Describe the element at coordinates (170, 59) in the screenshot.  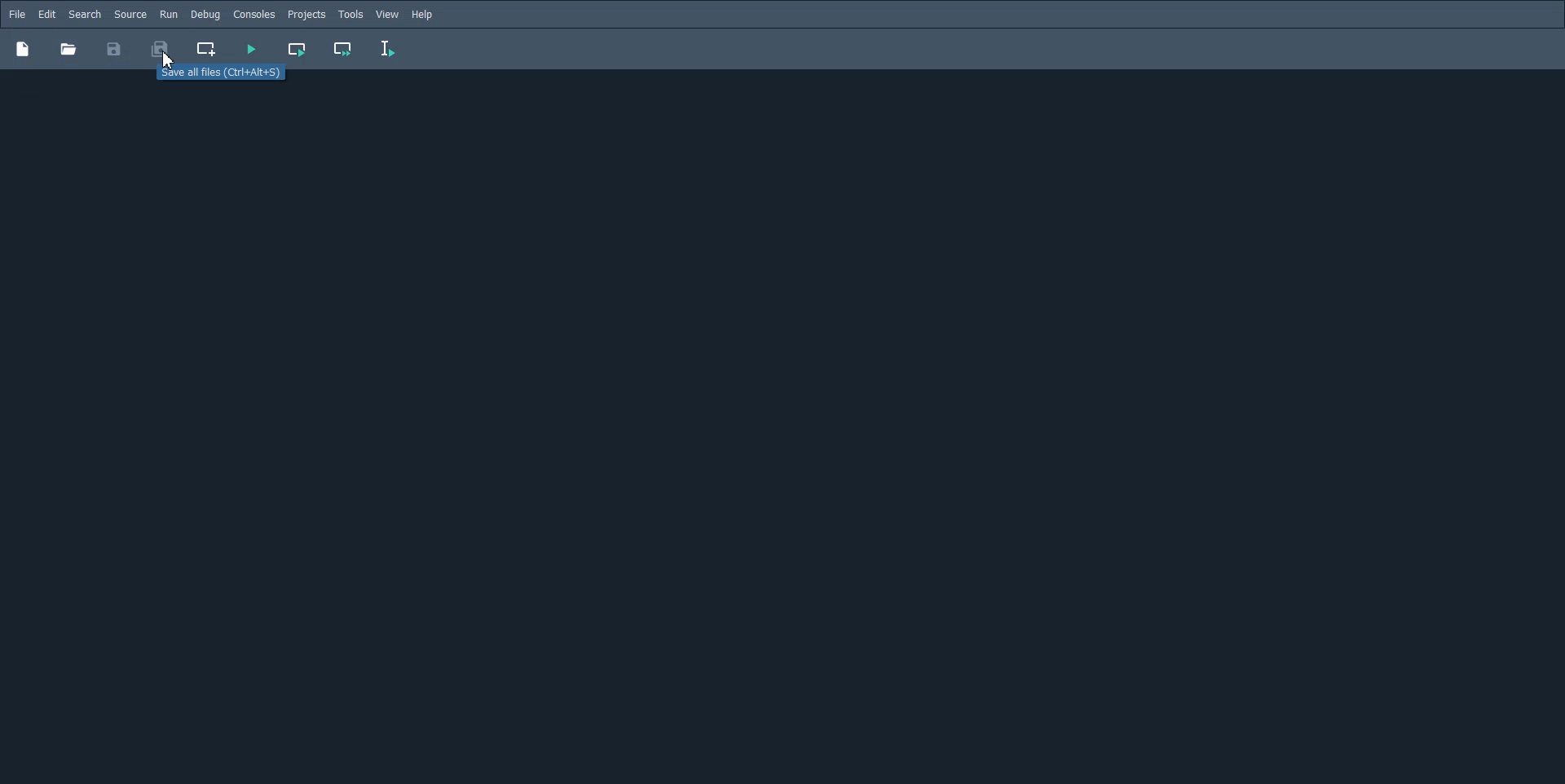
I see `Cursor` at that location.